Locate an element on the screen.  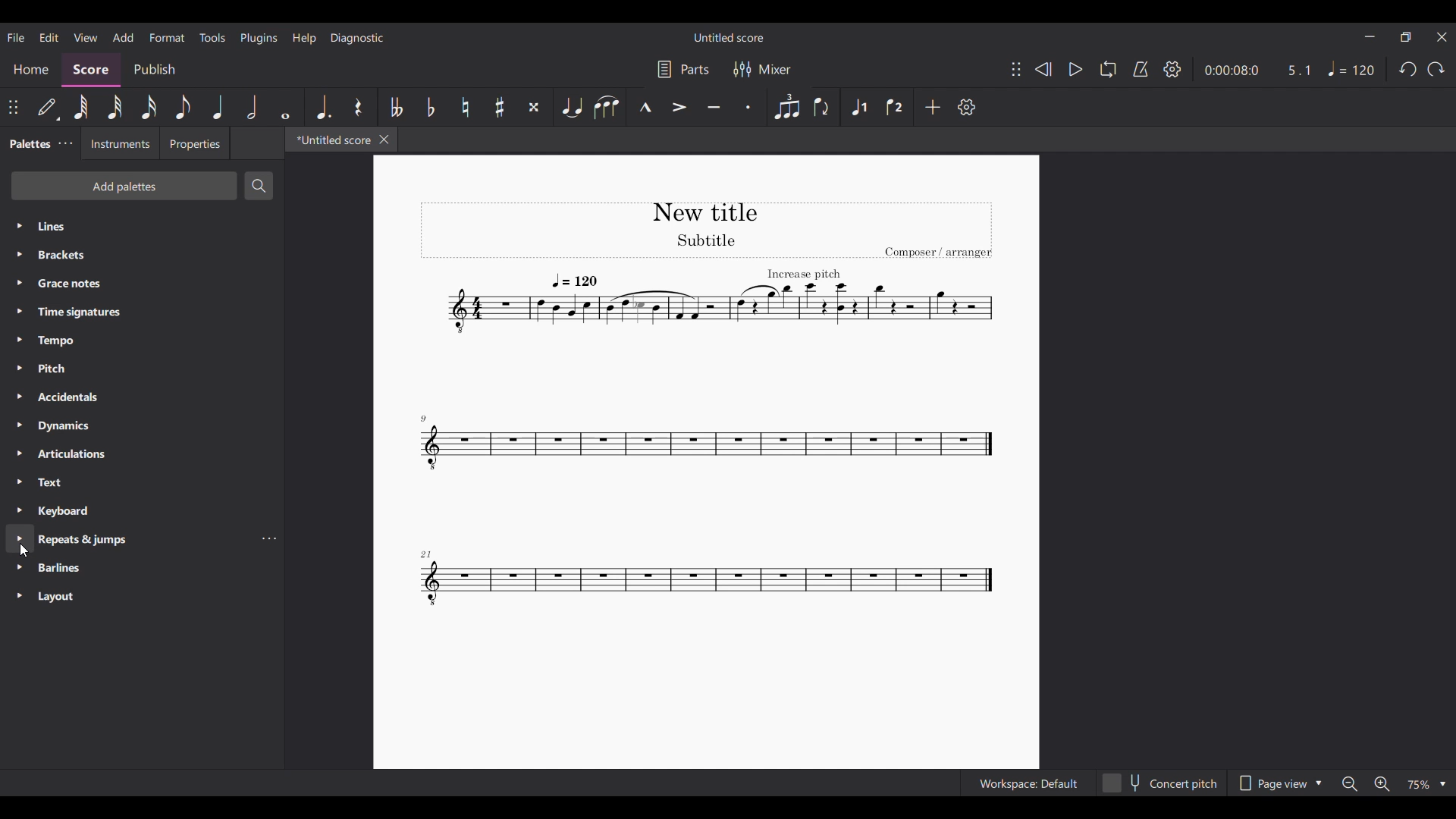
Layout is located at coordinates (142, 597).